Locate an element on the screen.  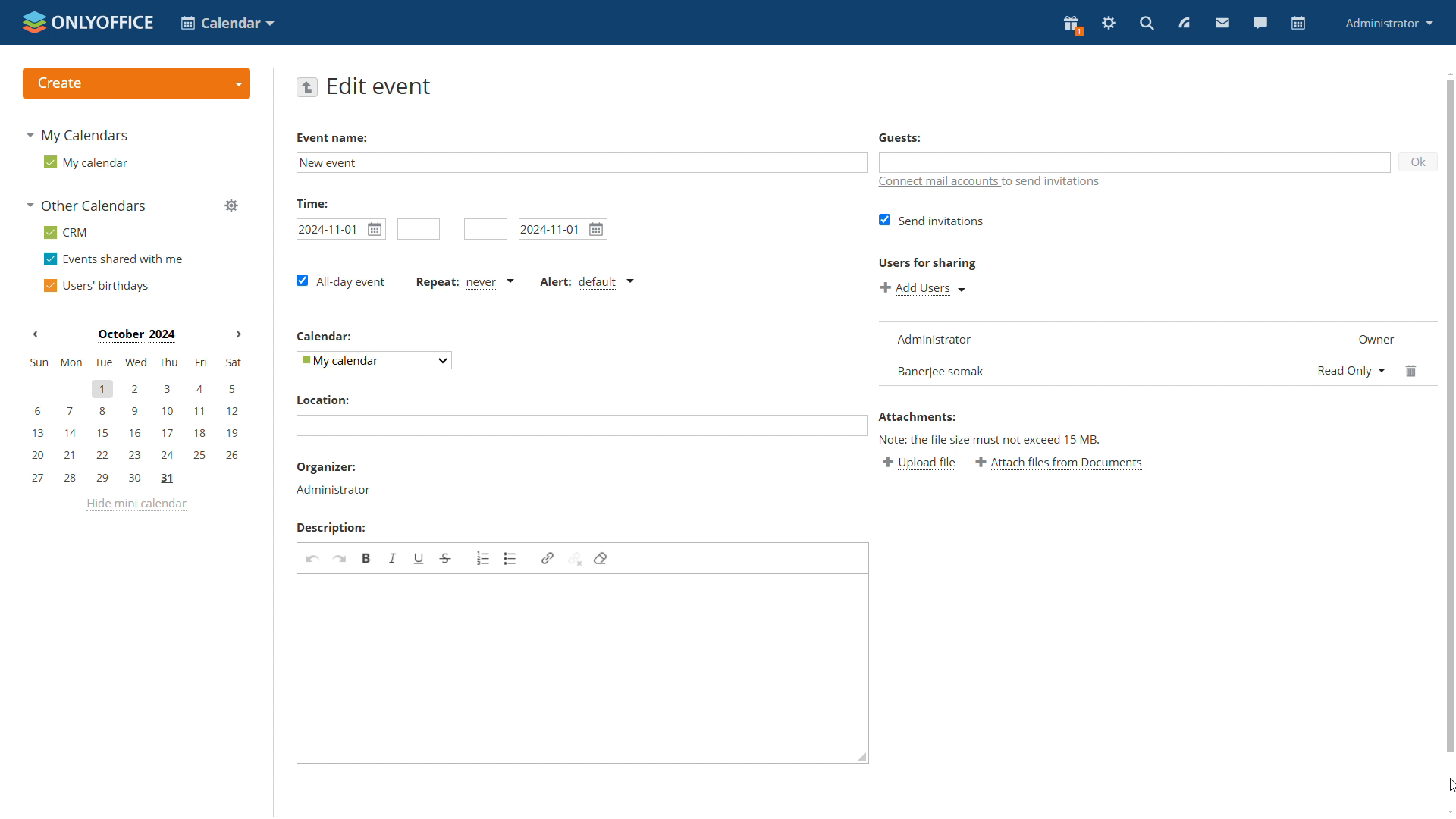
feed is located at coordinates (1185, 24).